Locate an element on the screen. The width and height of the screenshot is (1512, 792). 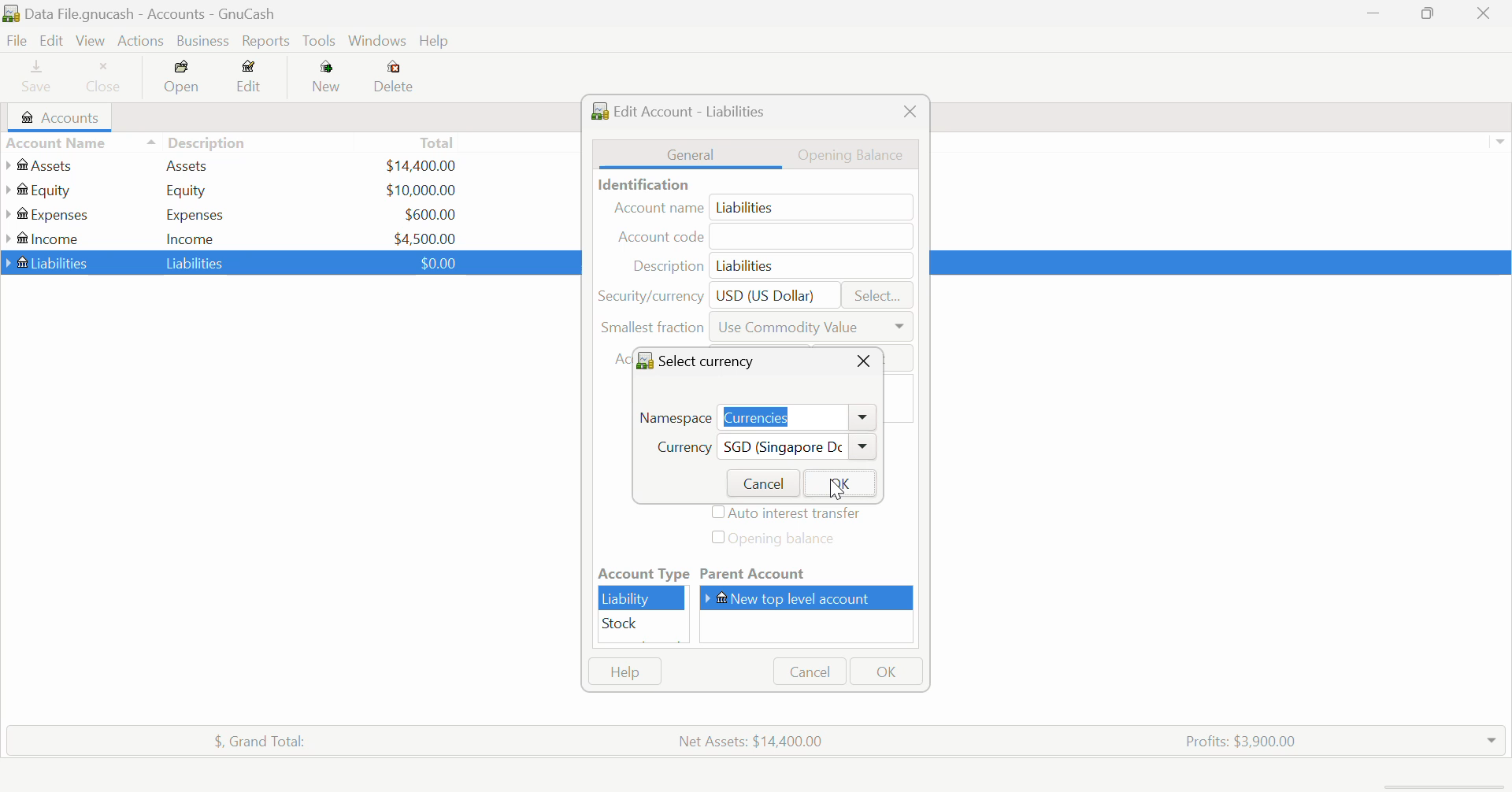
Edit Account - Liabilities is located at coordinates (684, 109).